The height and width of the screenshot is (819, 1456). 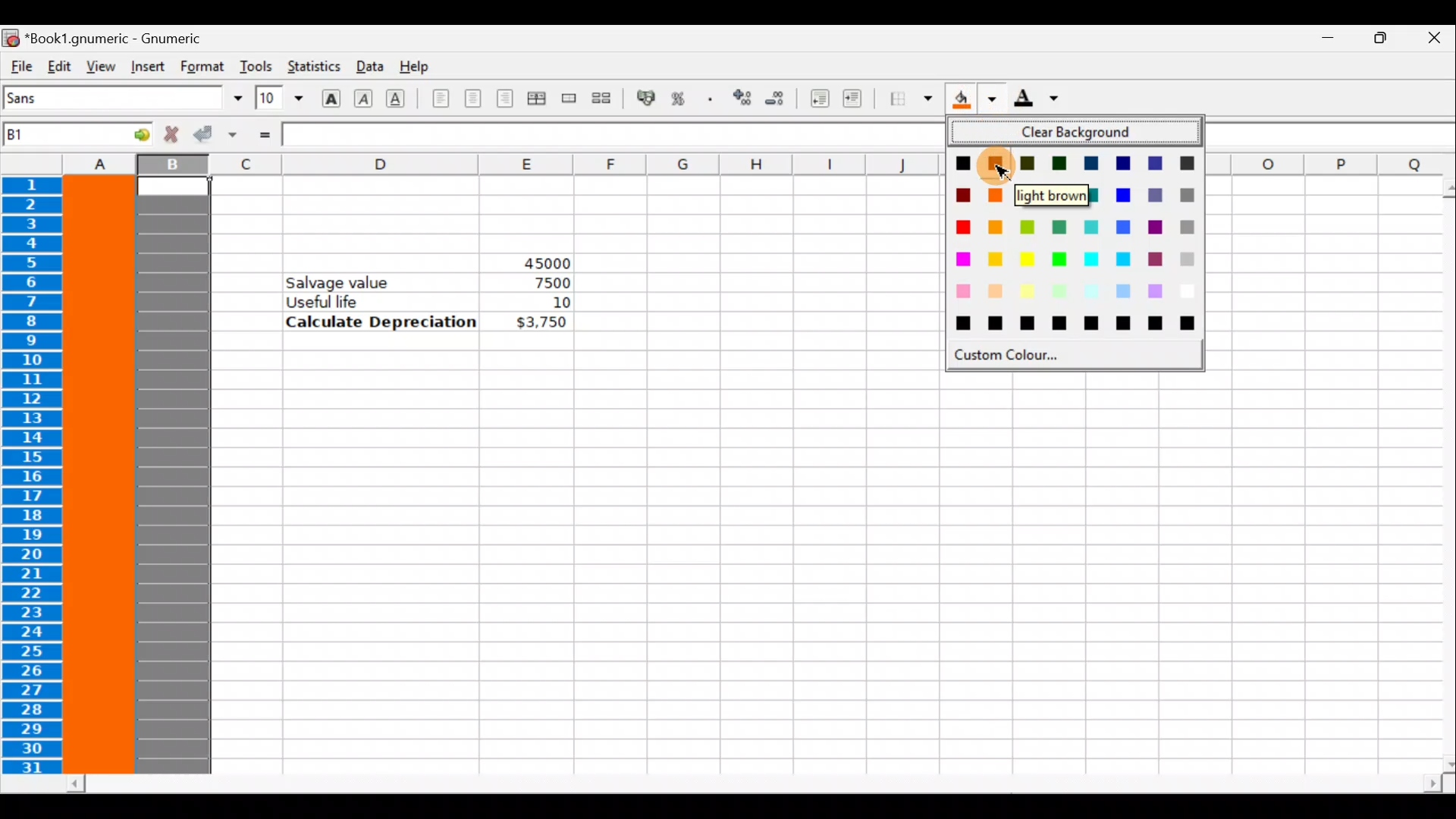 What do you see at coordinates (419, 67) in the screenshot?
I see `Help` at bounding box center [419, 67].